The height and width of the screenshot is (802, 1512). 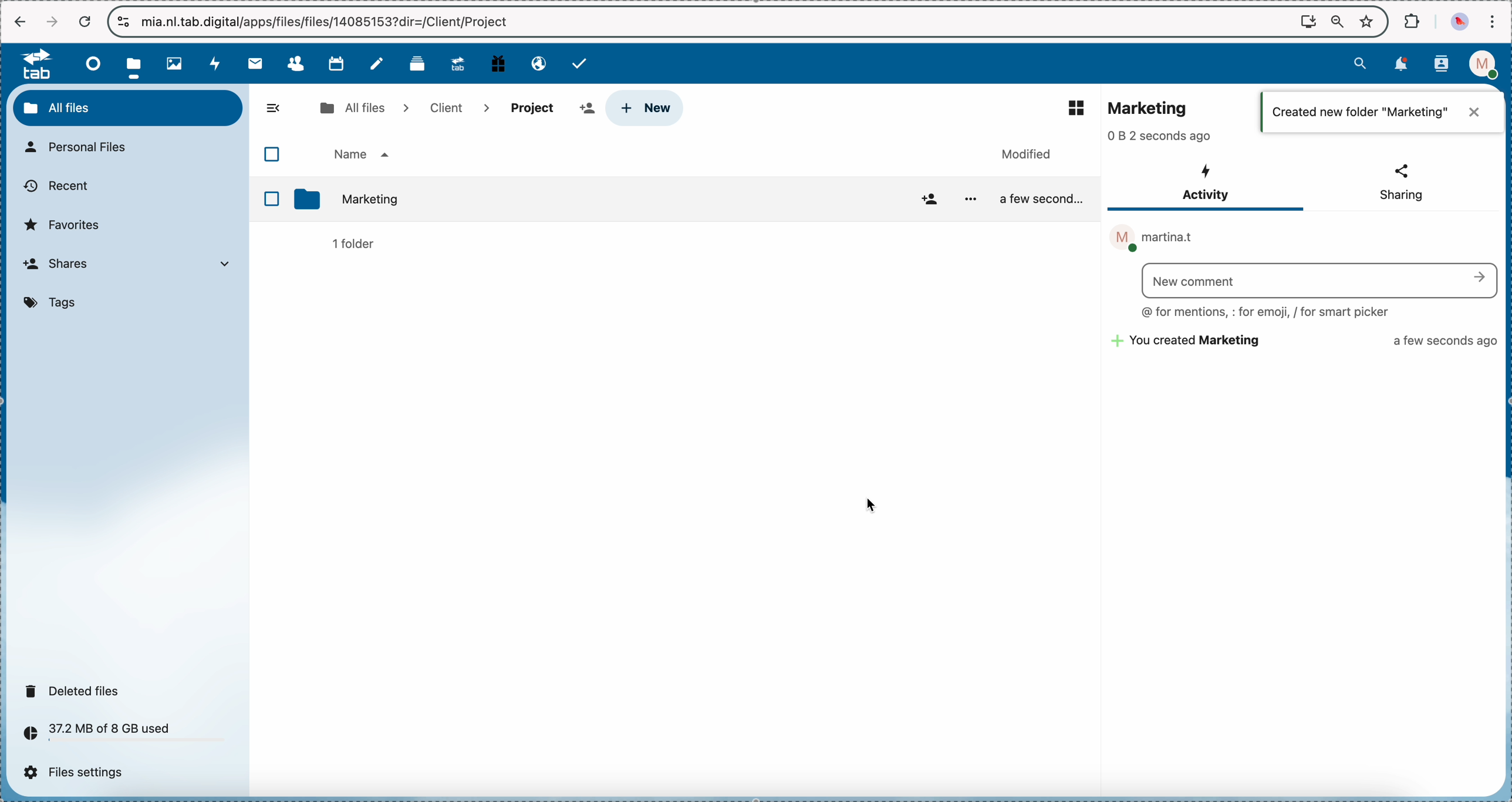 What do you see at coordinates (1155, 240) in the screenshot?
I see `martina.t` at bounding box center [1155, 240].